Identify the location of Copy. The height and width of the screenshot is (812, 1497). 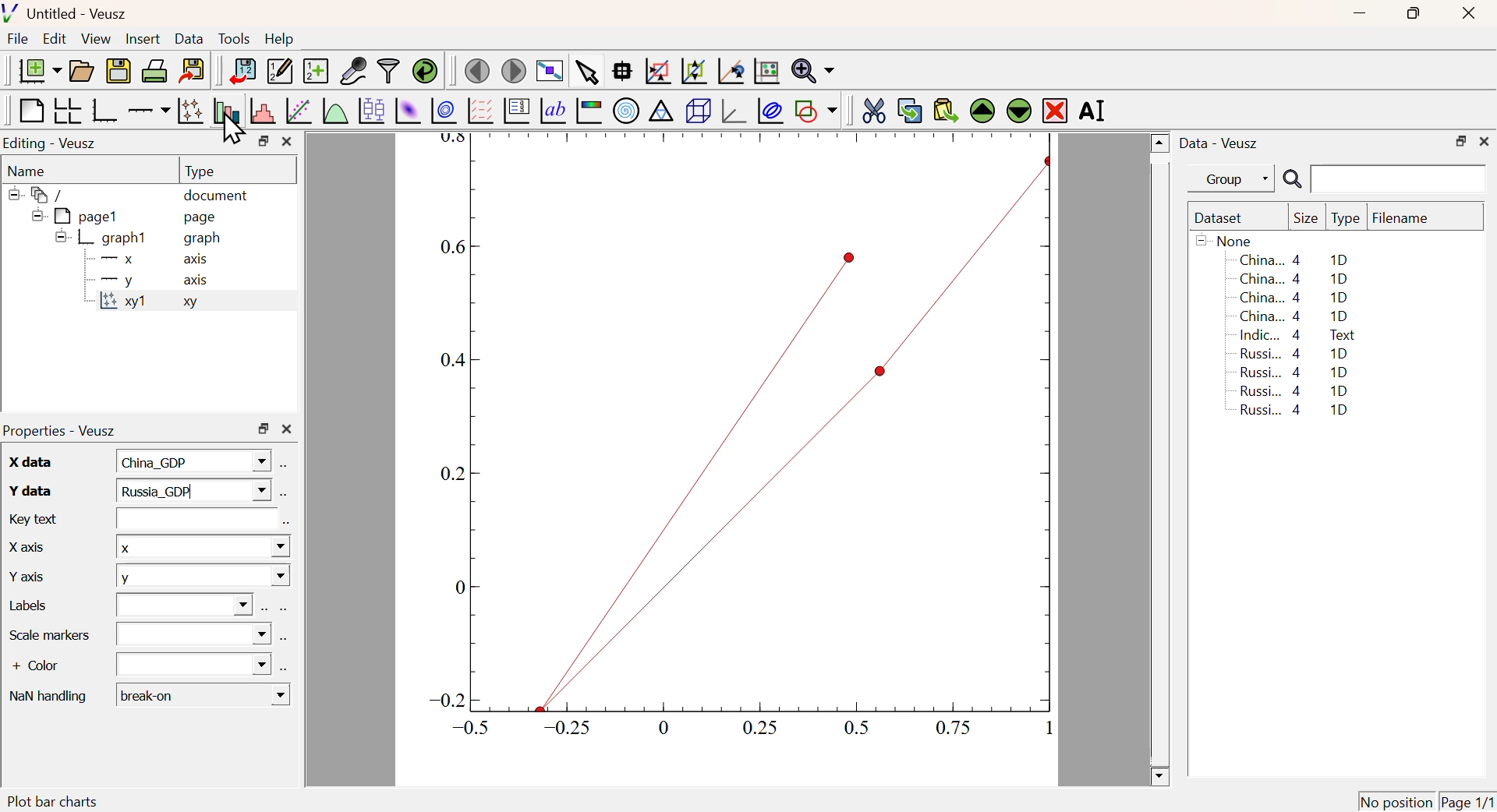
(909, 111).